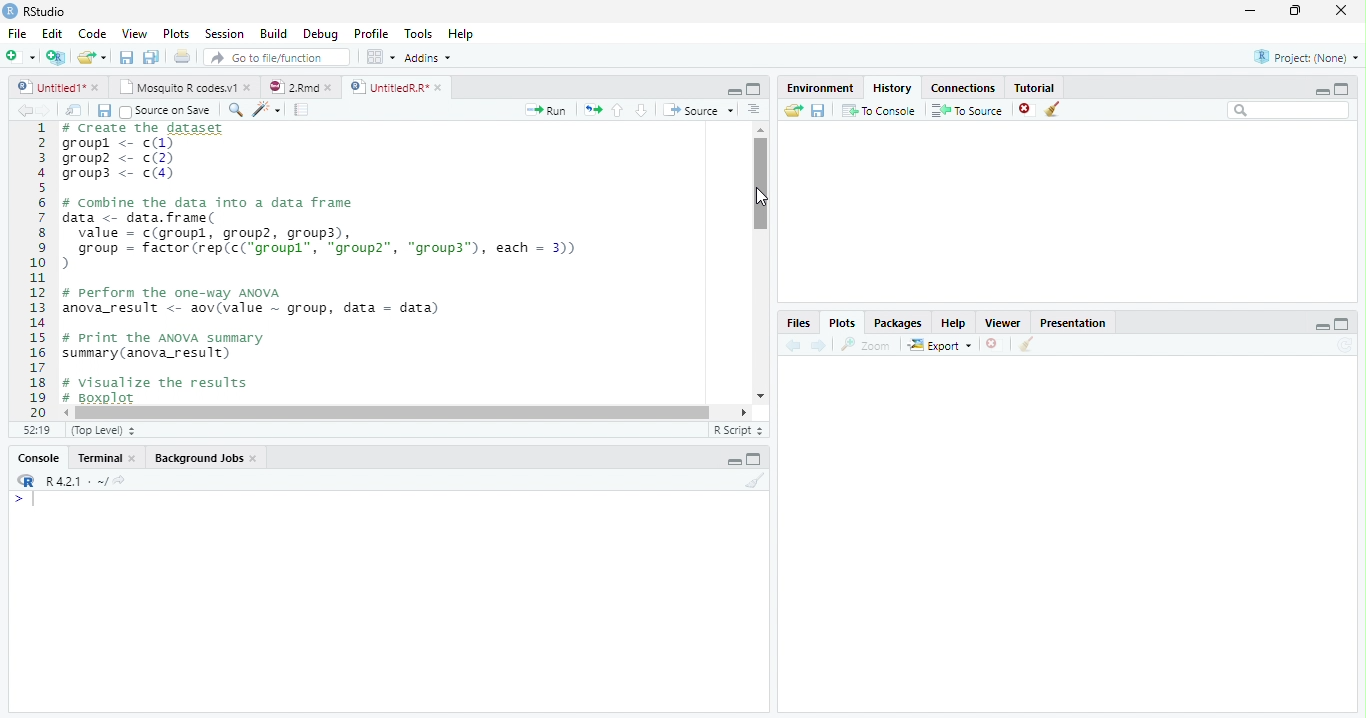  Describe the element at coordinates (106, 431) in the screenshot. I see `Top level` at that location.